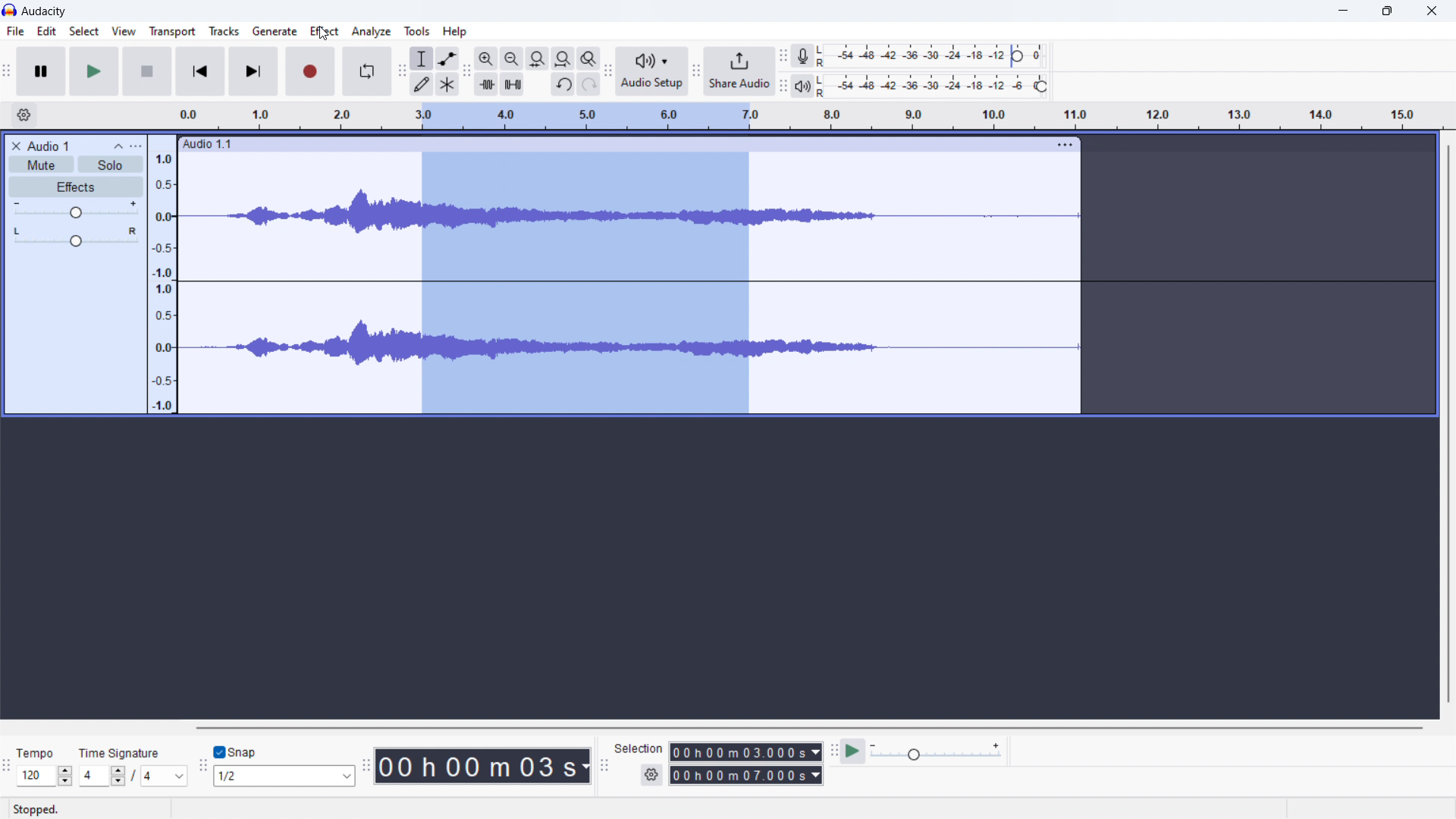 This screenshot has height=819, width=1456. What do you see at coordinates (745, 777) in the screenshot?
I see `00 h 00 m 07.000 s` at bounding box center [745, 777].